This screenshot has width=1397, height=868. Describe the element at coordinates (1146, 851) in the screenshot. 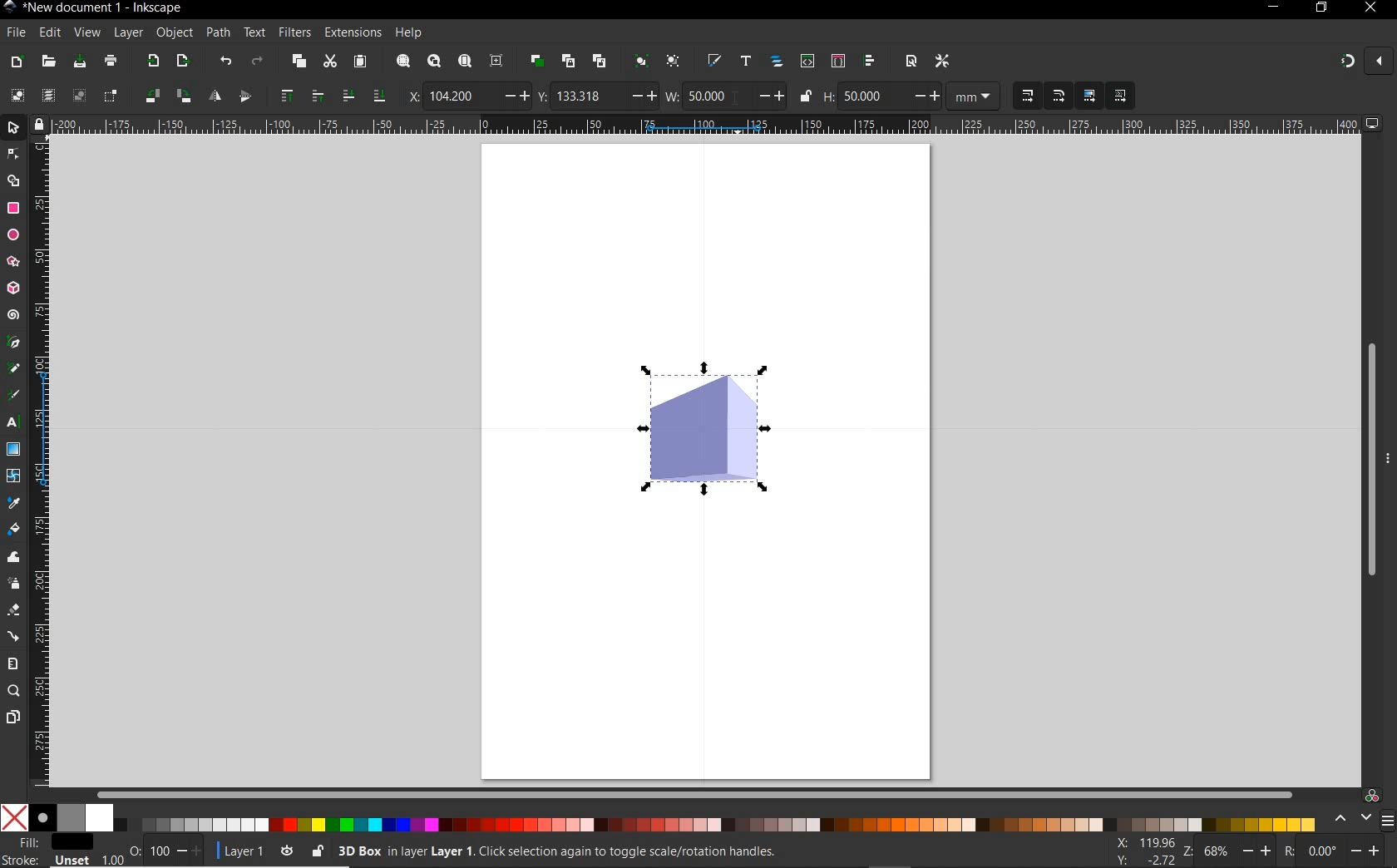

I see `cursor coordinates` at that location.